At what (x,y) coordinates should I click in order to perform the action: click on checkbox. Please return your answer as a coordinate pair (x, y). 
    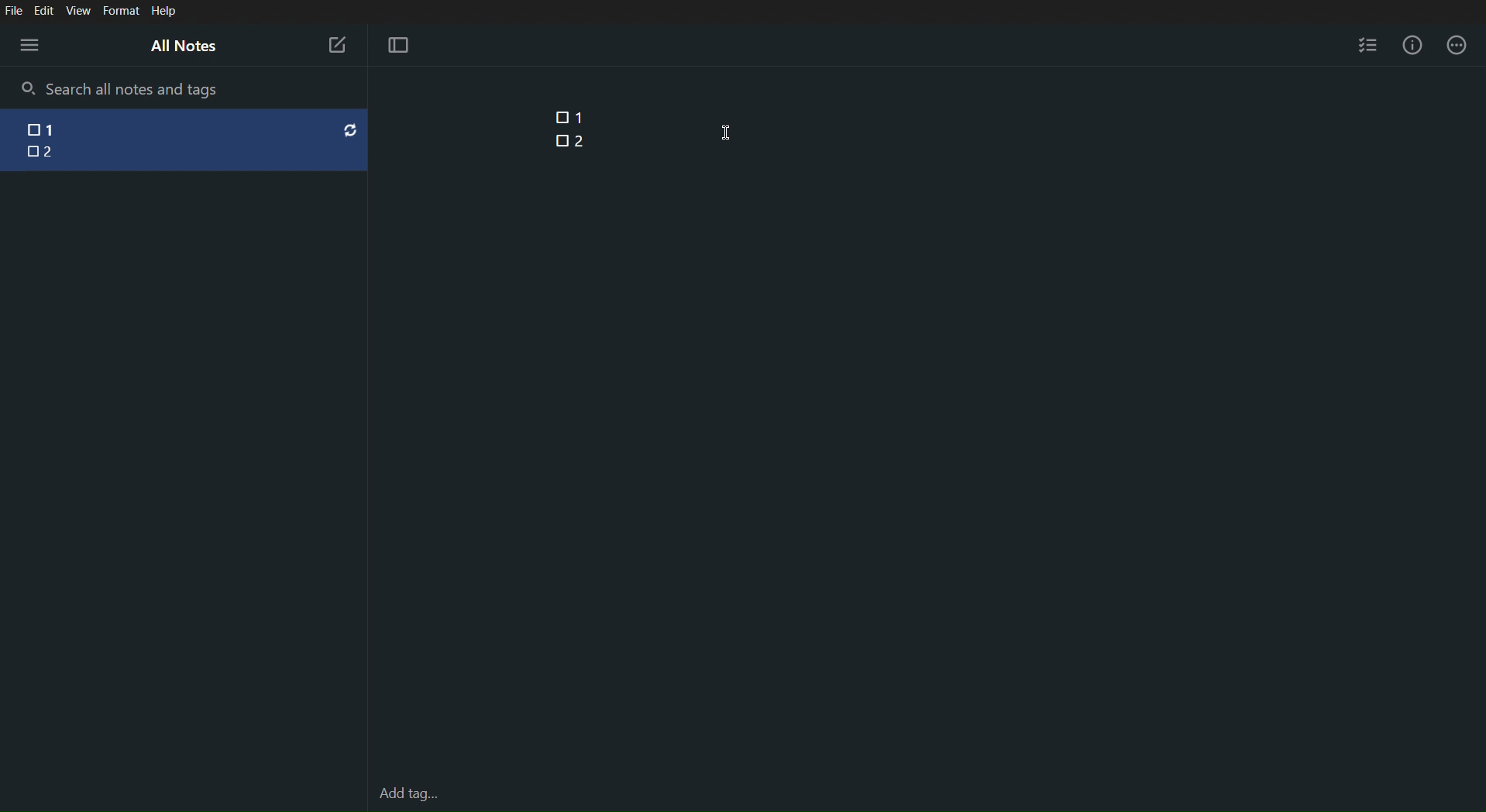
    Looking at the image, I should click on (30, 153).